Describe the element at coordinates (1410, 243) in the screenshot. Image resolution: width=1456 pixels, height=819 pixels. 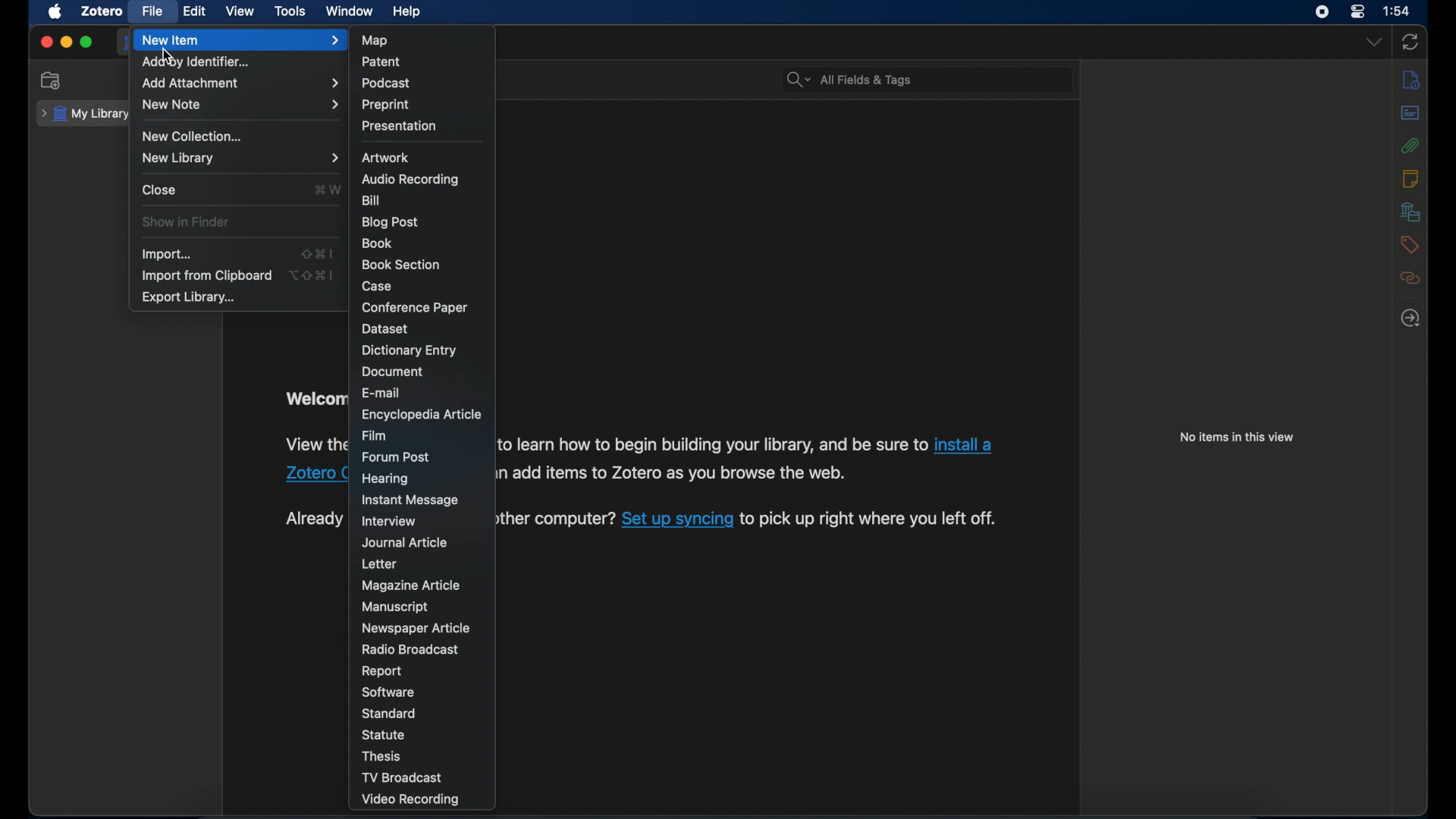
I see `tags` at that location.